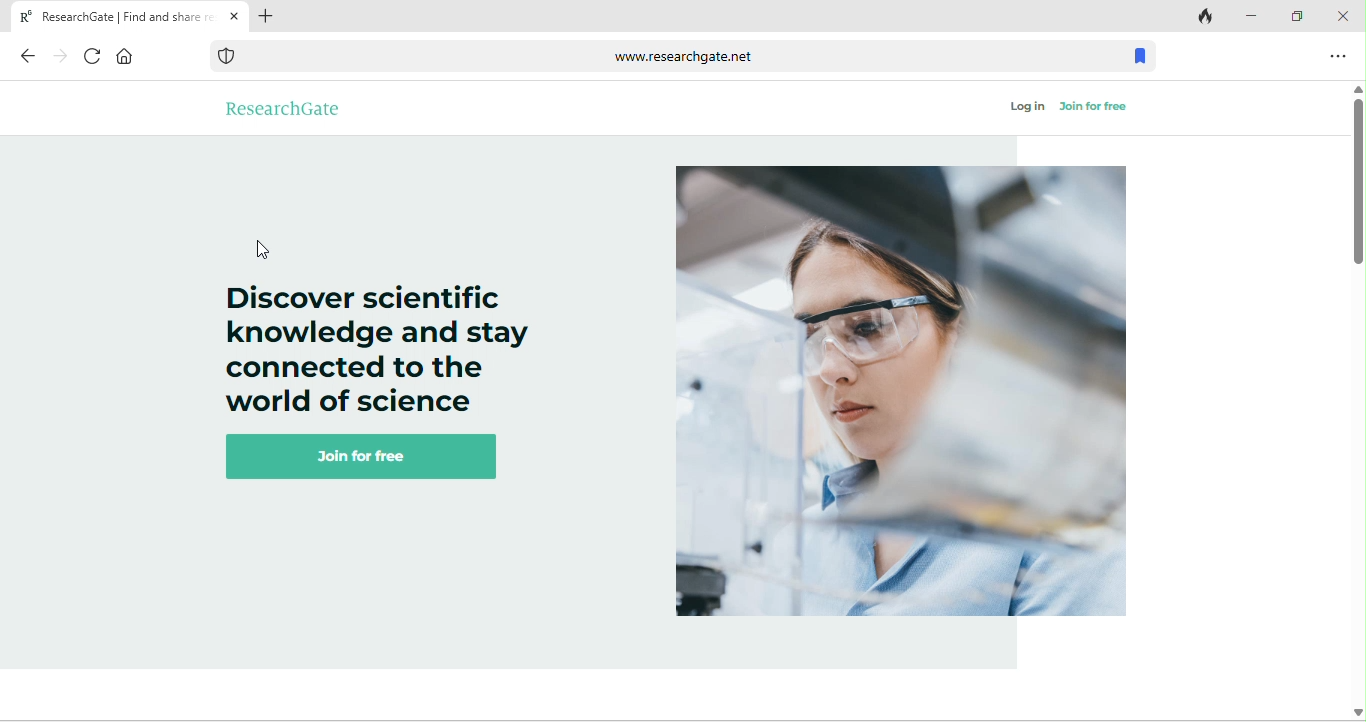 This screenshot has height=722, width=1366. I want to click on bookmark, so click(1141, 54).